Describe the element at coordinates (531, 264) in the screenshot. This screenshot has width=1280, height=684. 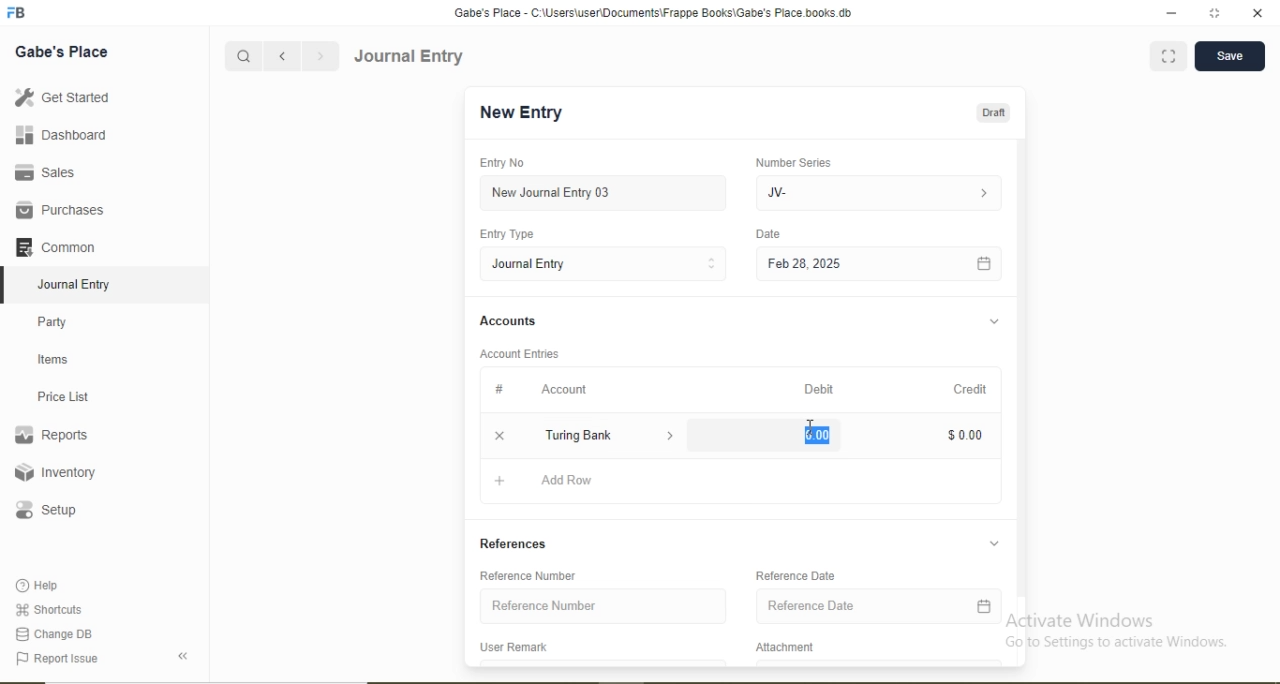
I see `Journal Entry` at that location.